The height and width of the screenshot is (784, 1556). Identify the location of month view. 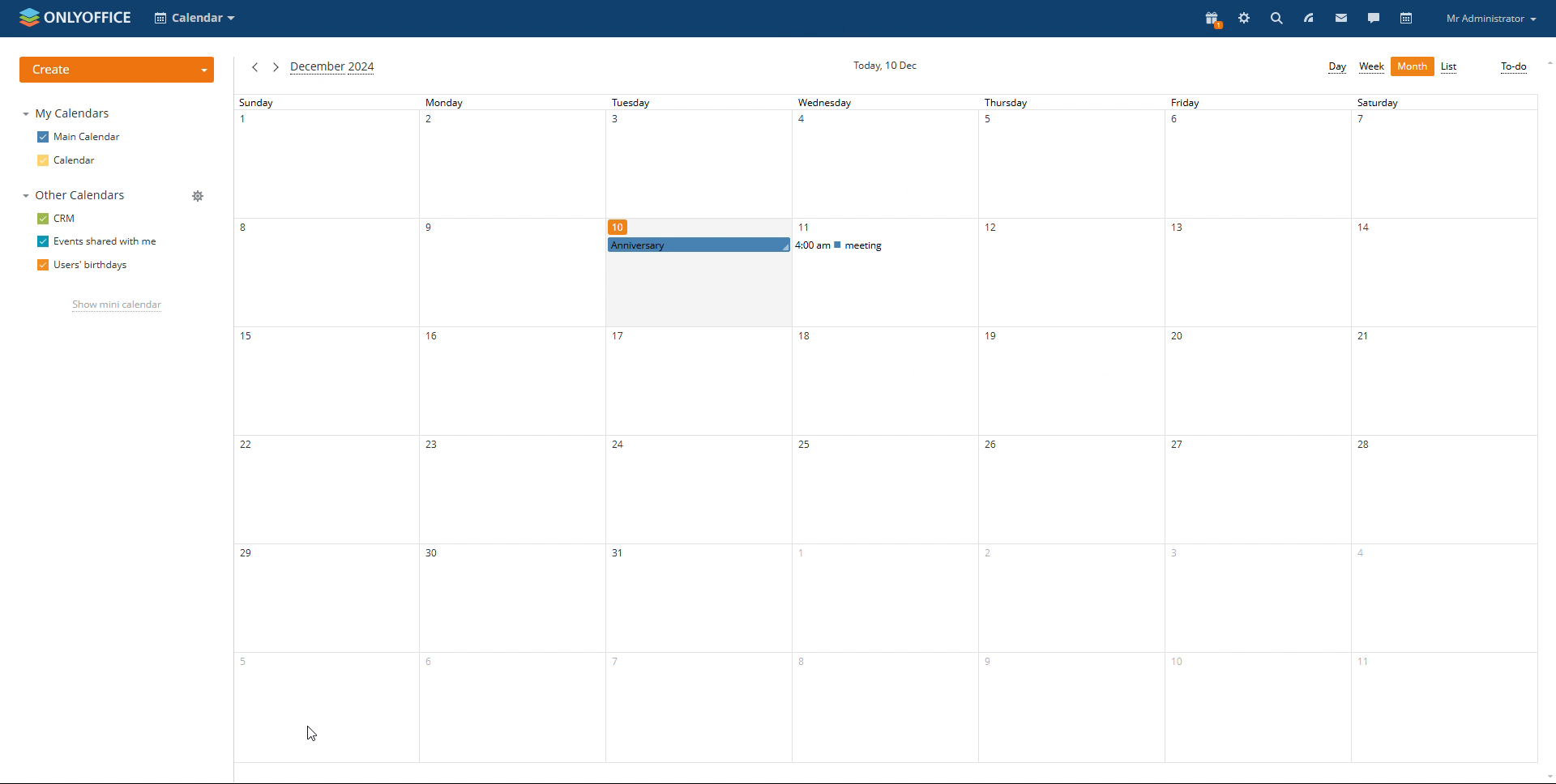
(1413, 66).